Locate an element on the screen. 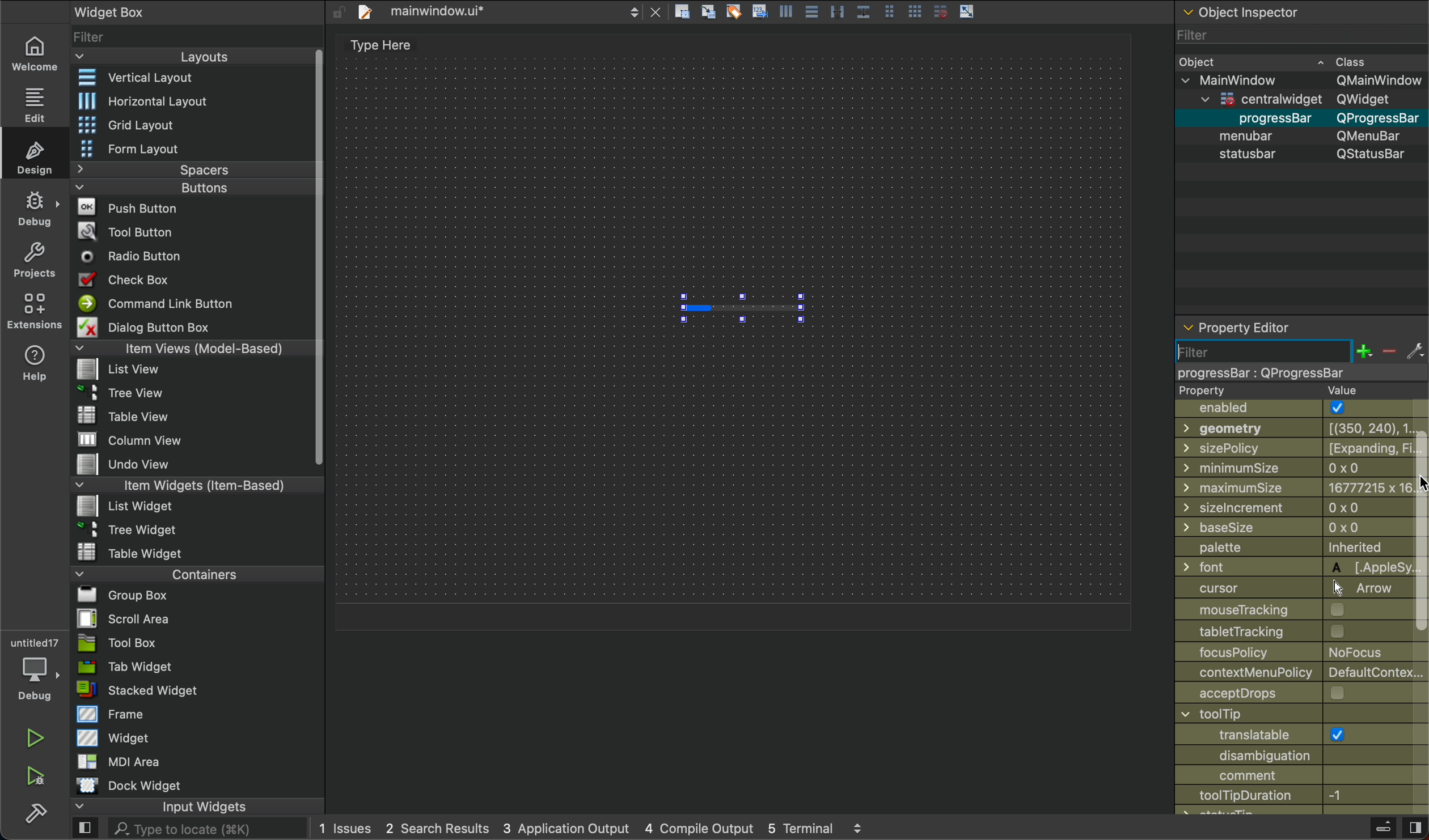  extension is located at coordinates (35, 310).